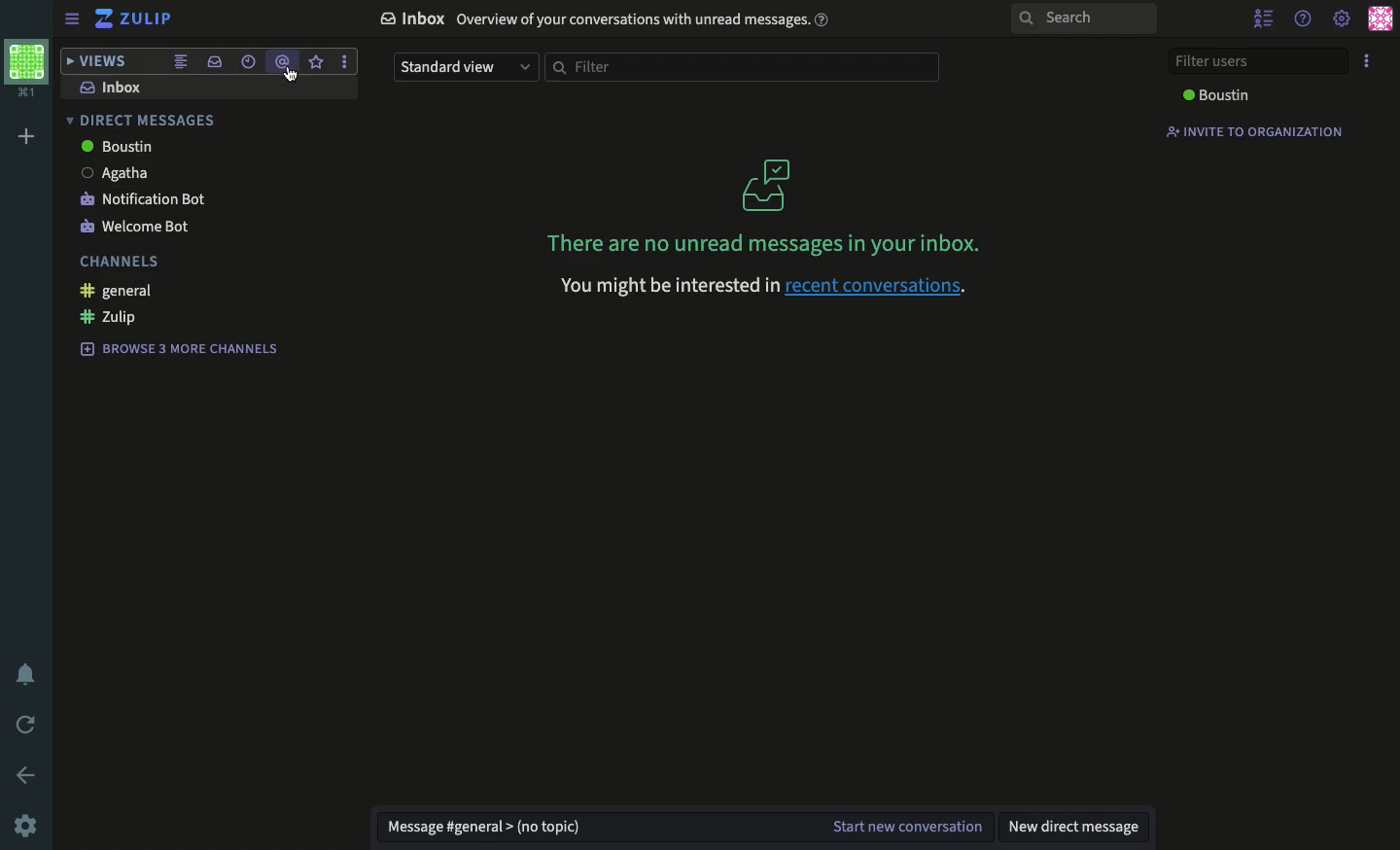 The width and height of the screenshot is (1400, 850). Describe the element at coordinates (912, 824) in the screenshot. I see `start new conversation` at that location.